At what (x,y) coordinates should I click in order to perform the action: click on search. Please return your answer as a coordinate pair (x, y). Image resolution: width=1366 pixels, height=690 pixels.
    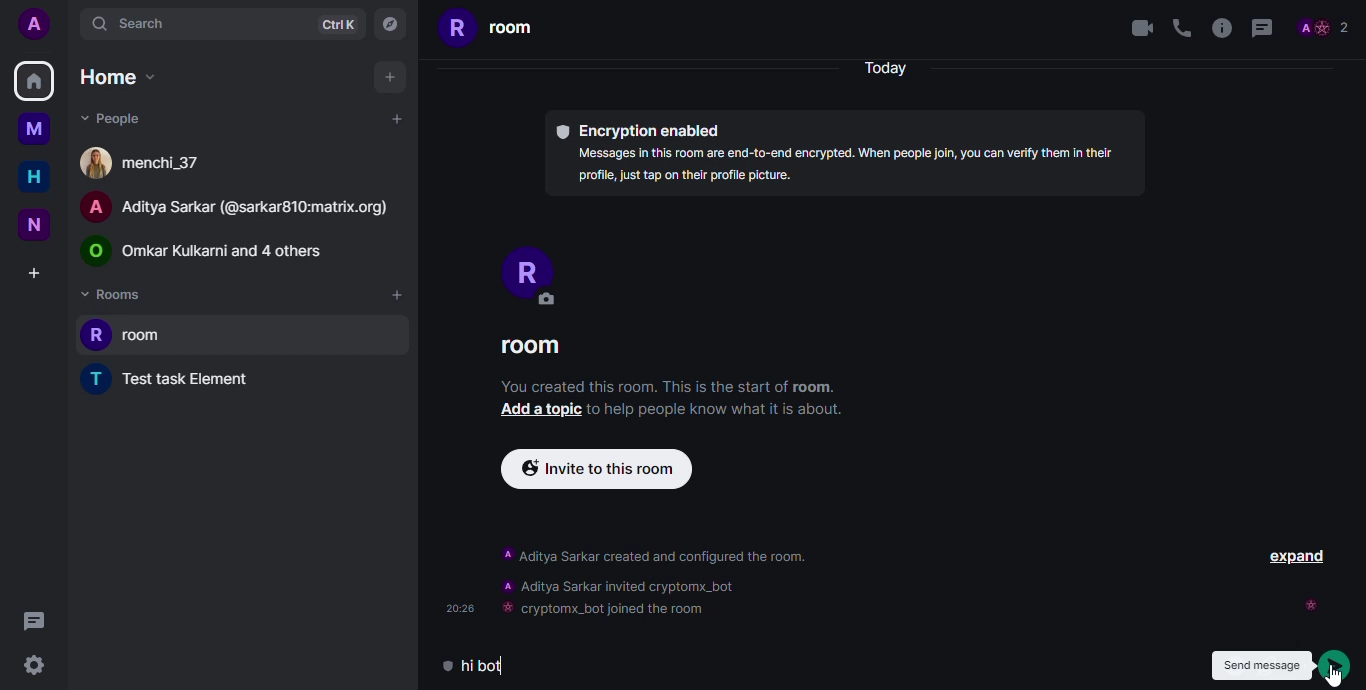
    Looking at the image, I should click on (131, 23).